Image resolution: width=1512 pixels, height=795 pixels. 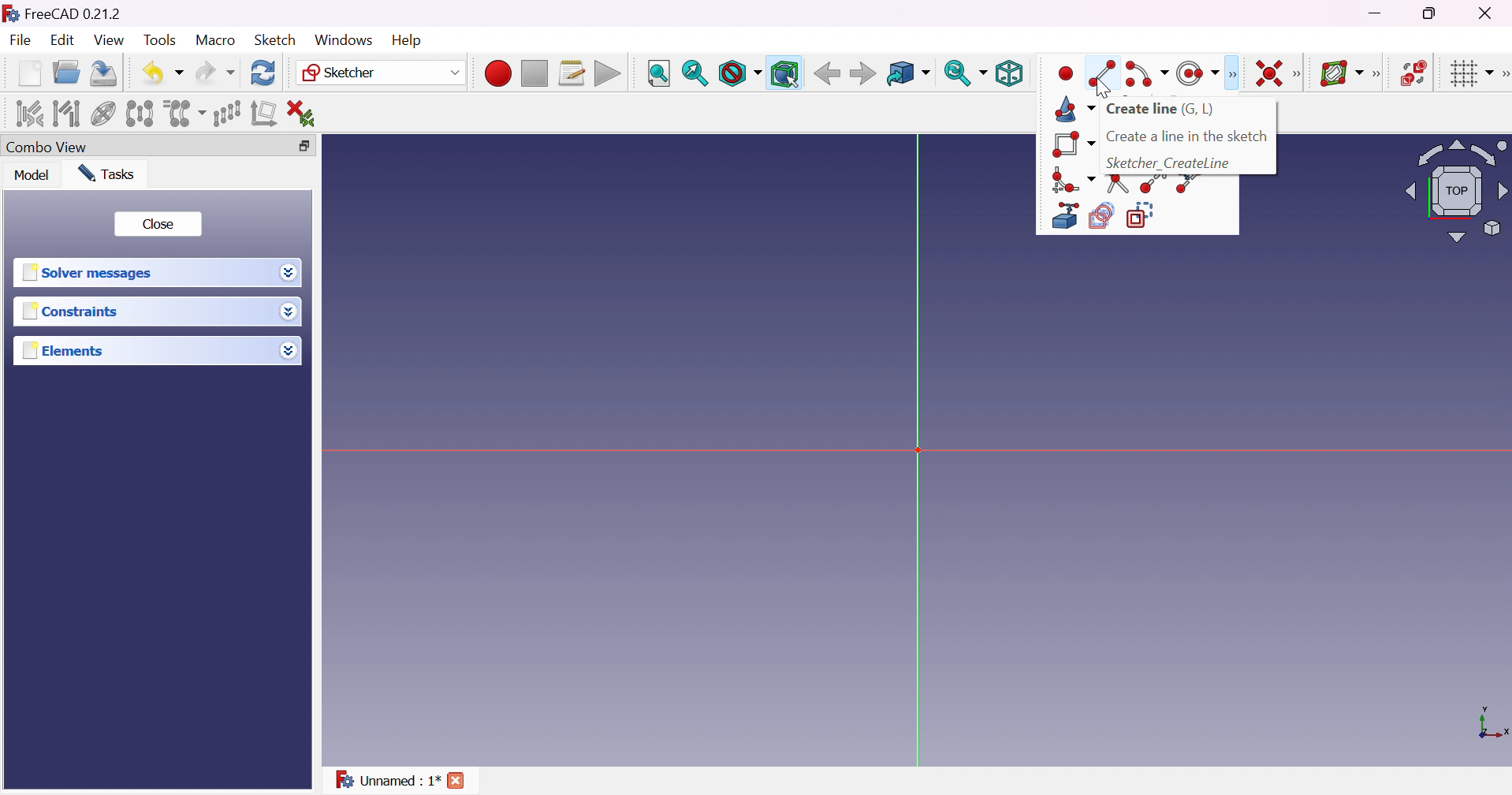 I want to click on See More Tools, so click(x=1231, y=73).